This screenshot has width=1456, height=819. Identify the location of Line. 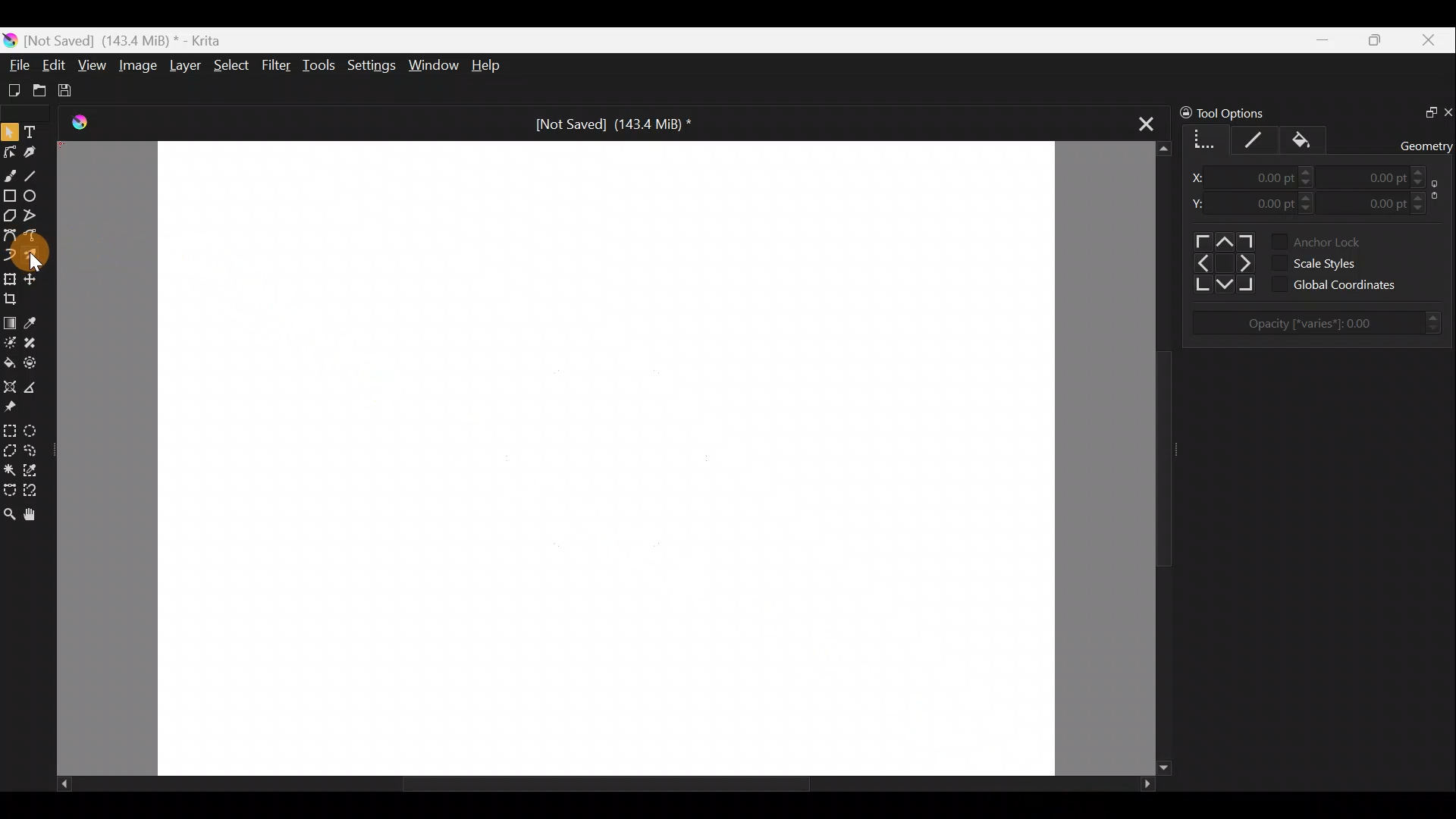
(33, 173).